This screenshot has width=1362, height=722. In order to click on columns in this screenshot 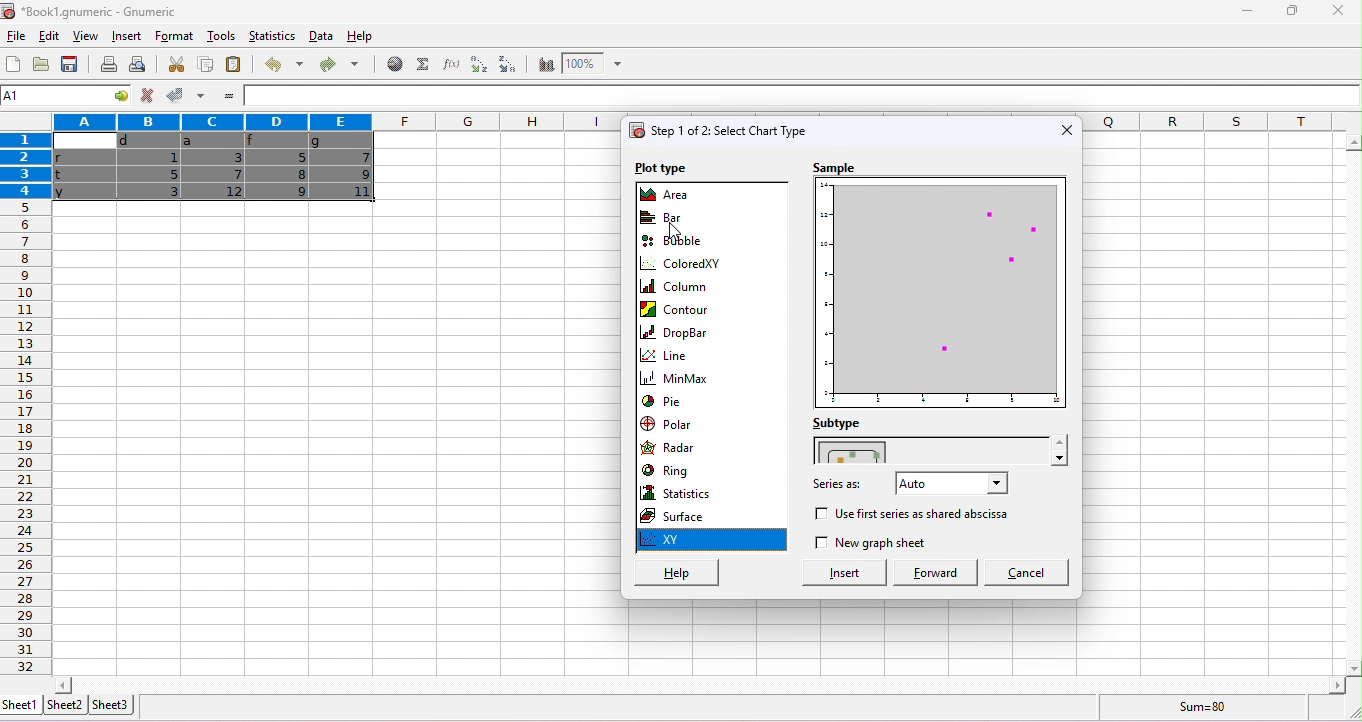, I will do `click(1213, 124)`.